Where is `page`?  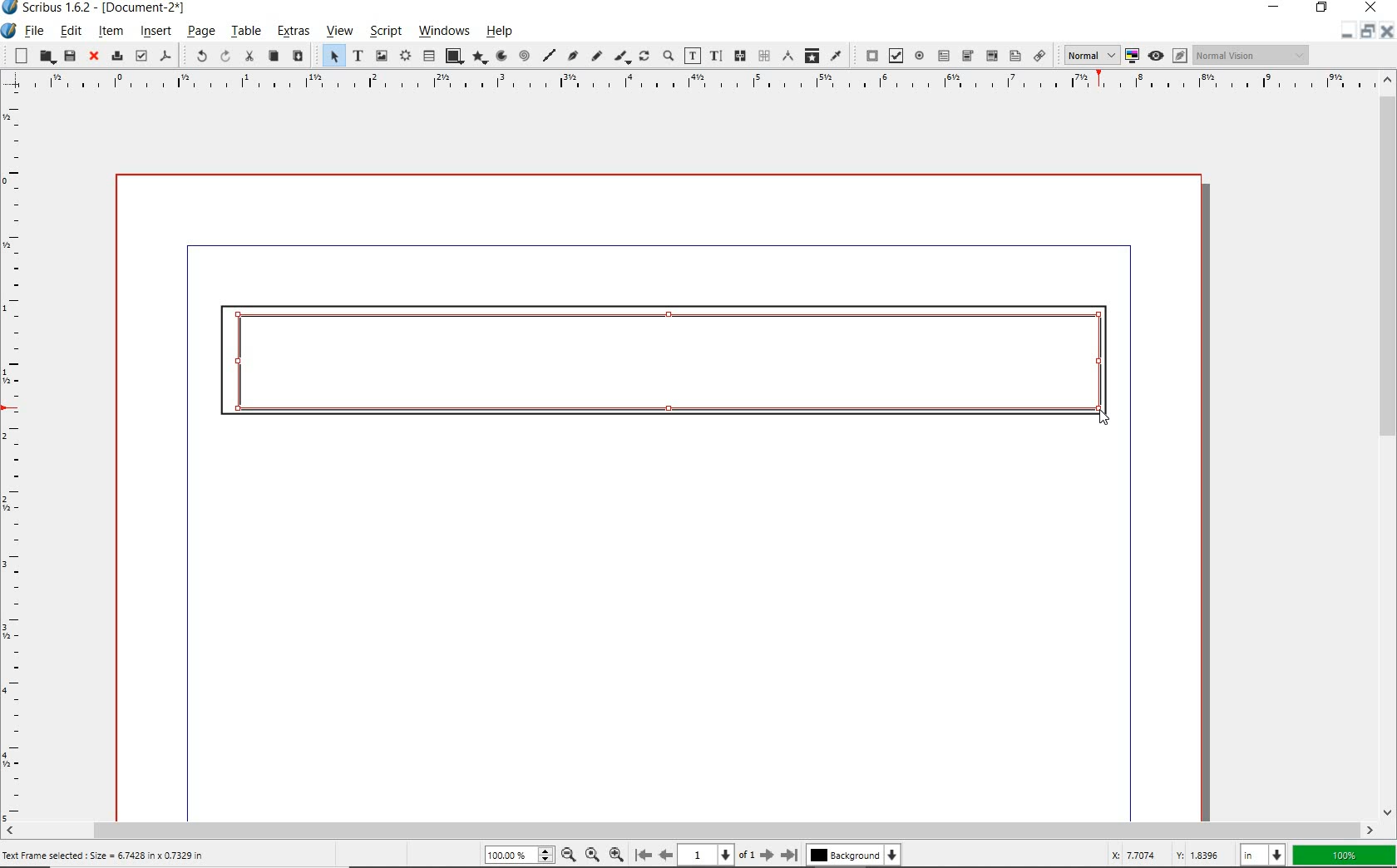 page is located at coordinates (201, 31).